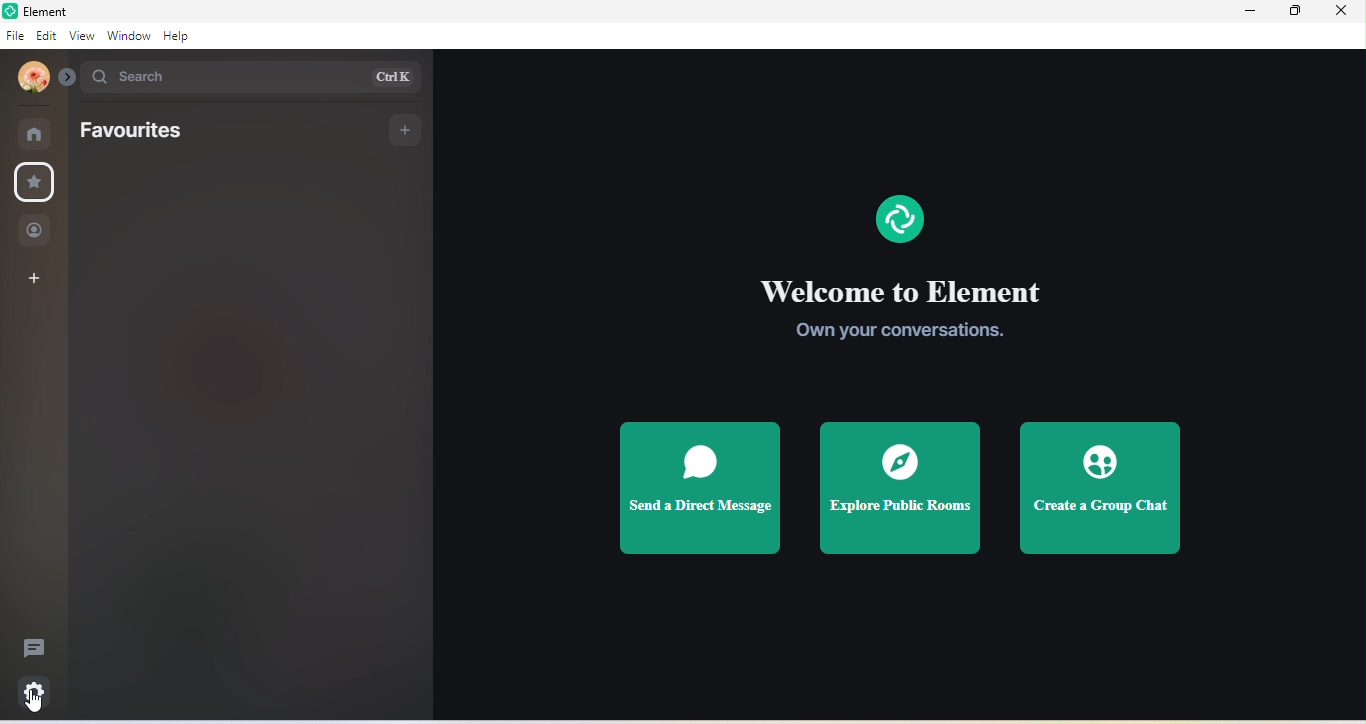 The height and width of the screenshot is (724, 1366). Describe the element at coordinates (35, 280) in the screenshot. I see `create a space` at that location.